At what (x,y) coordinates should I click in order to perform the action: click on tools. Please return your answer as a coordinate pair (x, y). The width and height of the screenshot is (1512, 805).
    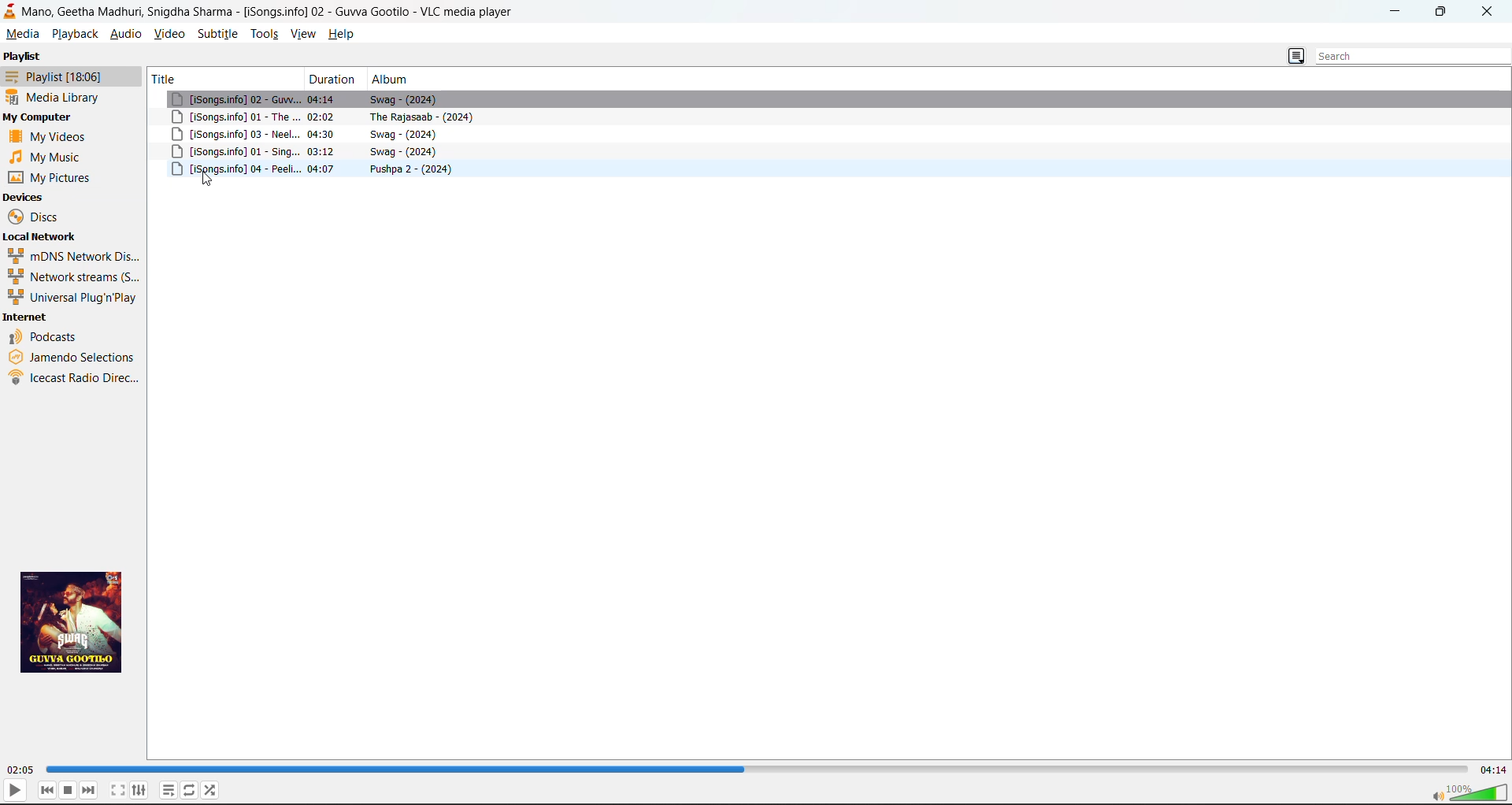
    Looking at the image, I should click on (265, 33).